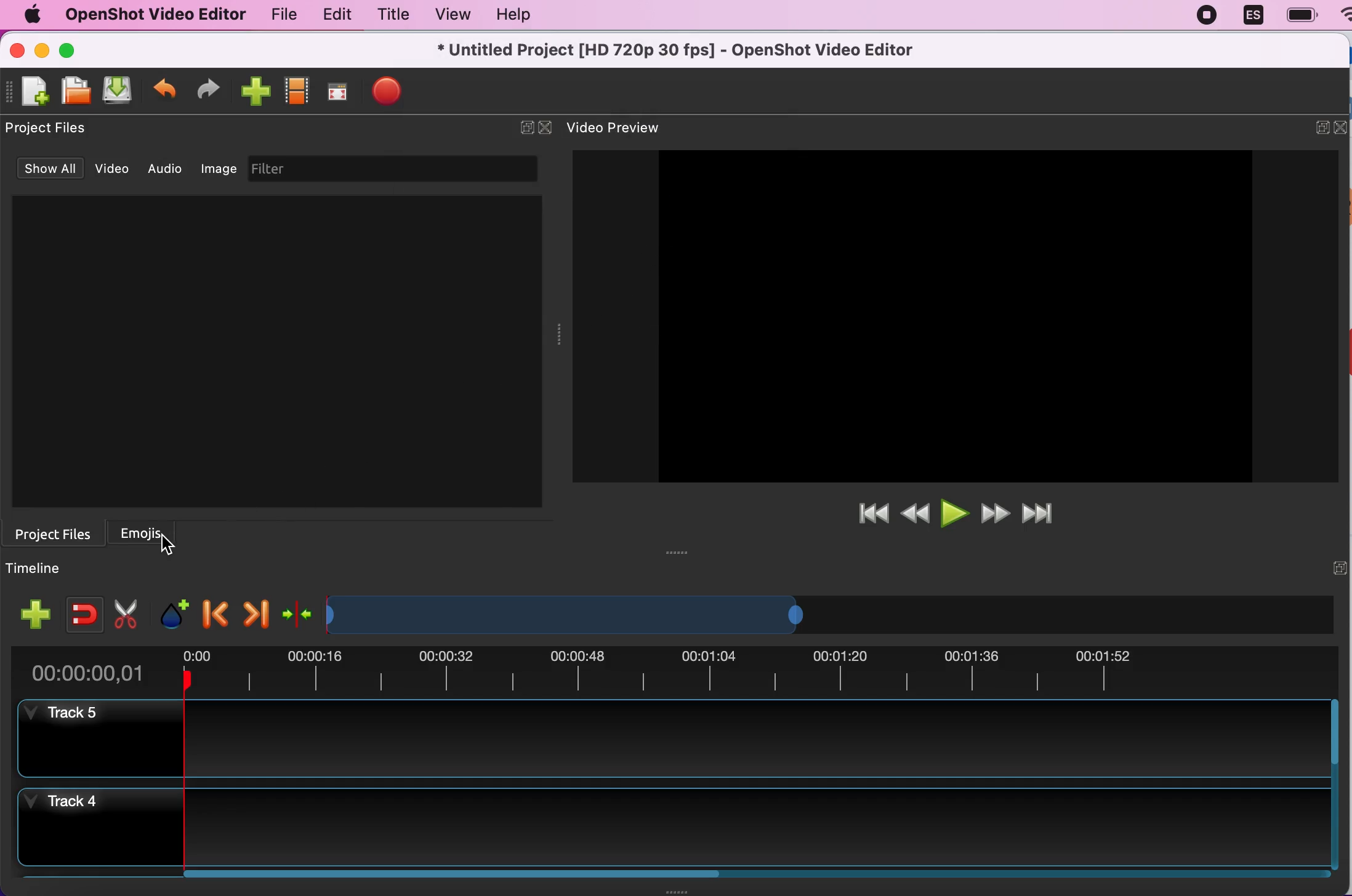  Describe the element at coordinates (72, 92) in the screenshot. I see `open file` at that location.